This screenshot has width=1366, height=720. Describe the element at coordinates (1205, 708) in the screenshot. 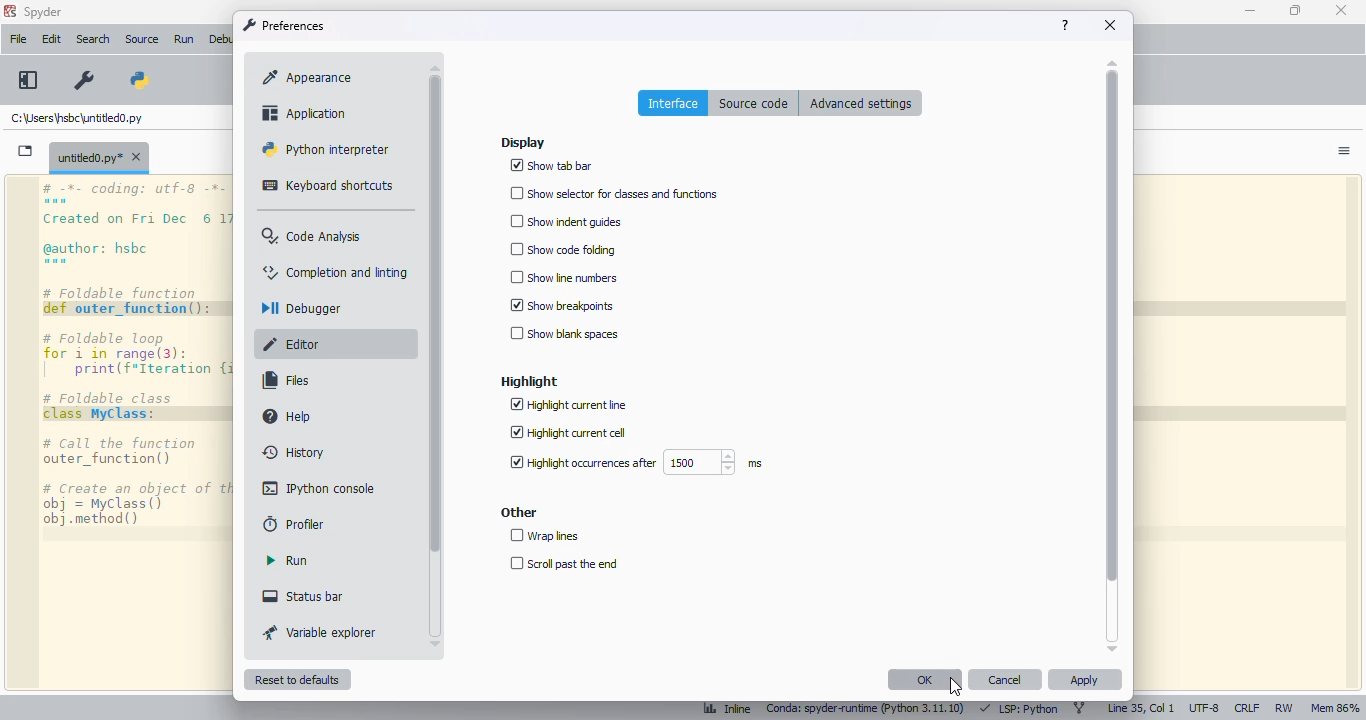

I see `UTF-8` at that location.